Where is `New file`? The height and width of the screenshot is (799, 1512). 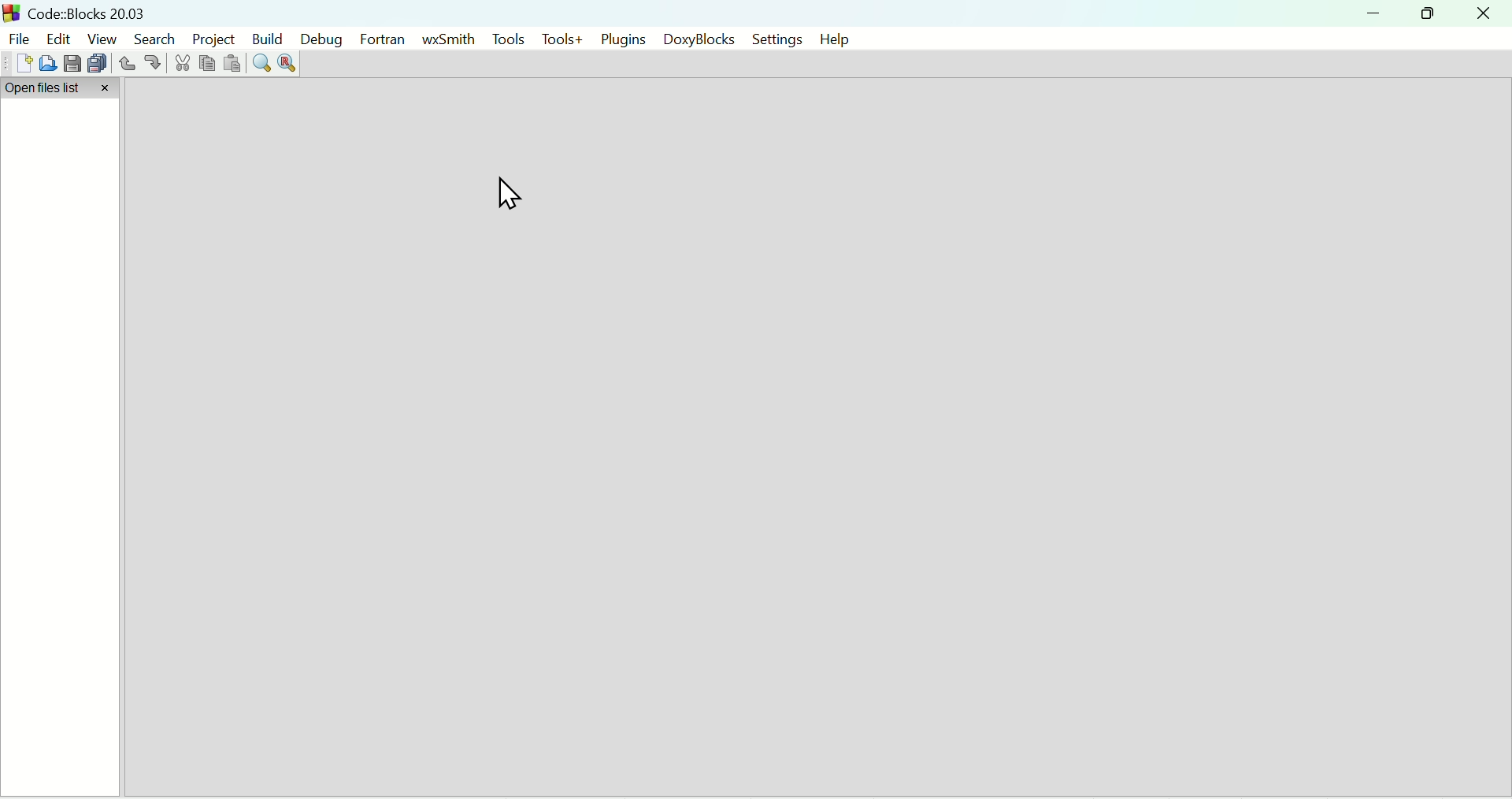
New file is located at coordinates (22, 63).